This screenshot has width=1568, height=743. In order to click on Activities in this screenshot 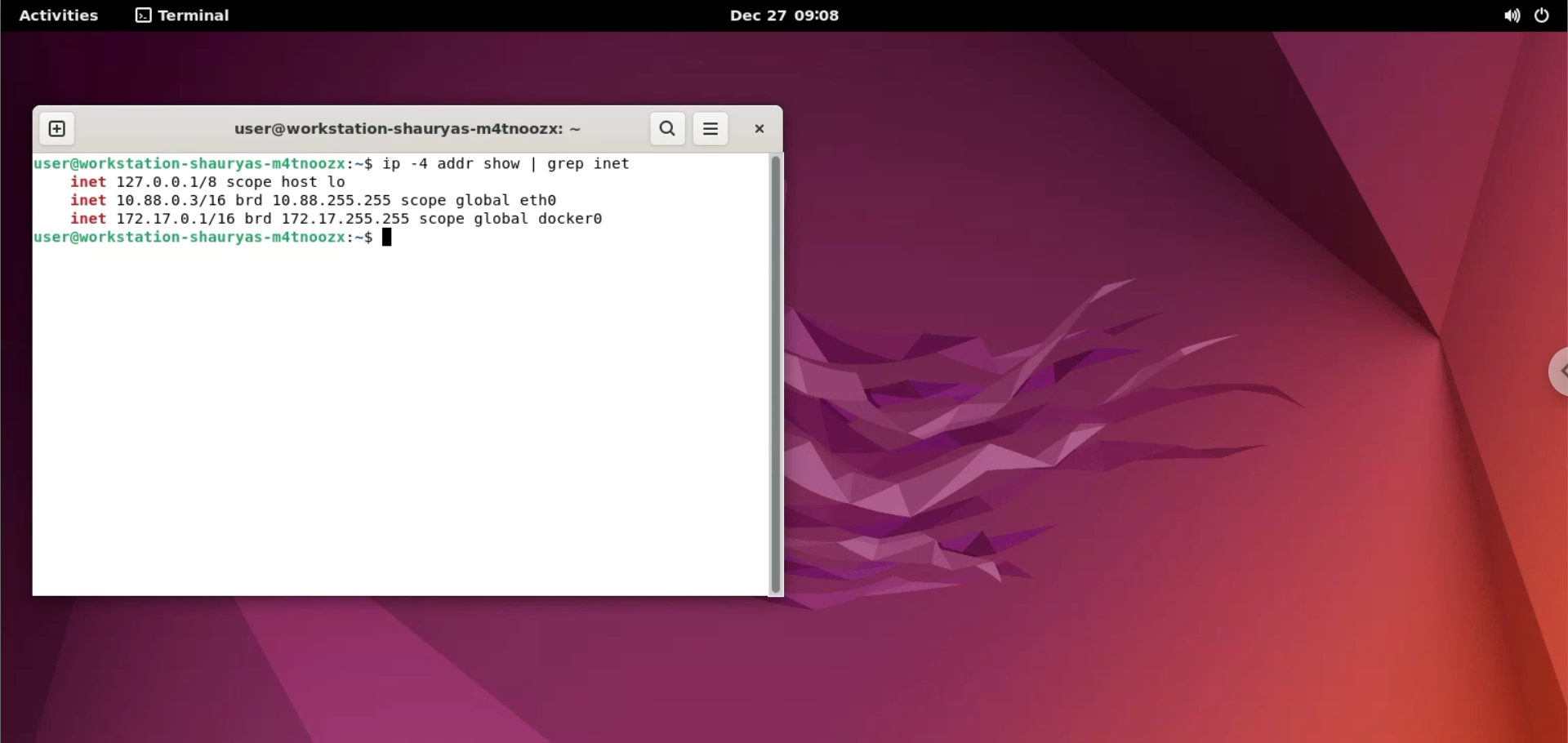, I will do `click(60, 15)`.